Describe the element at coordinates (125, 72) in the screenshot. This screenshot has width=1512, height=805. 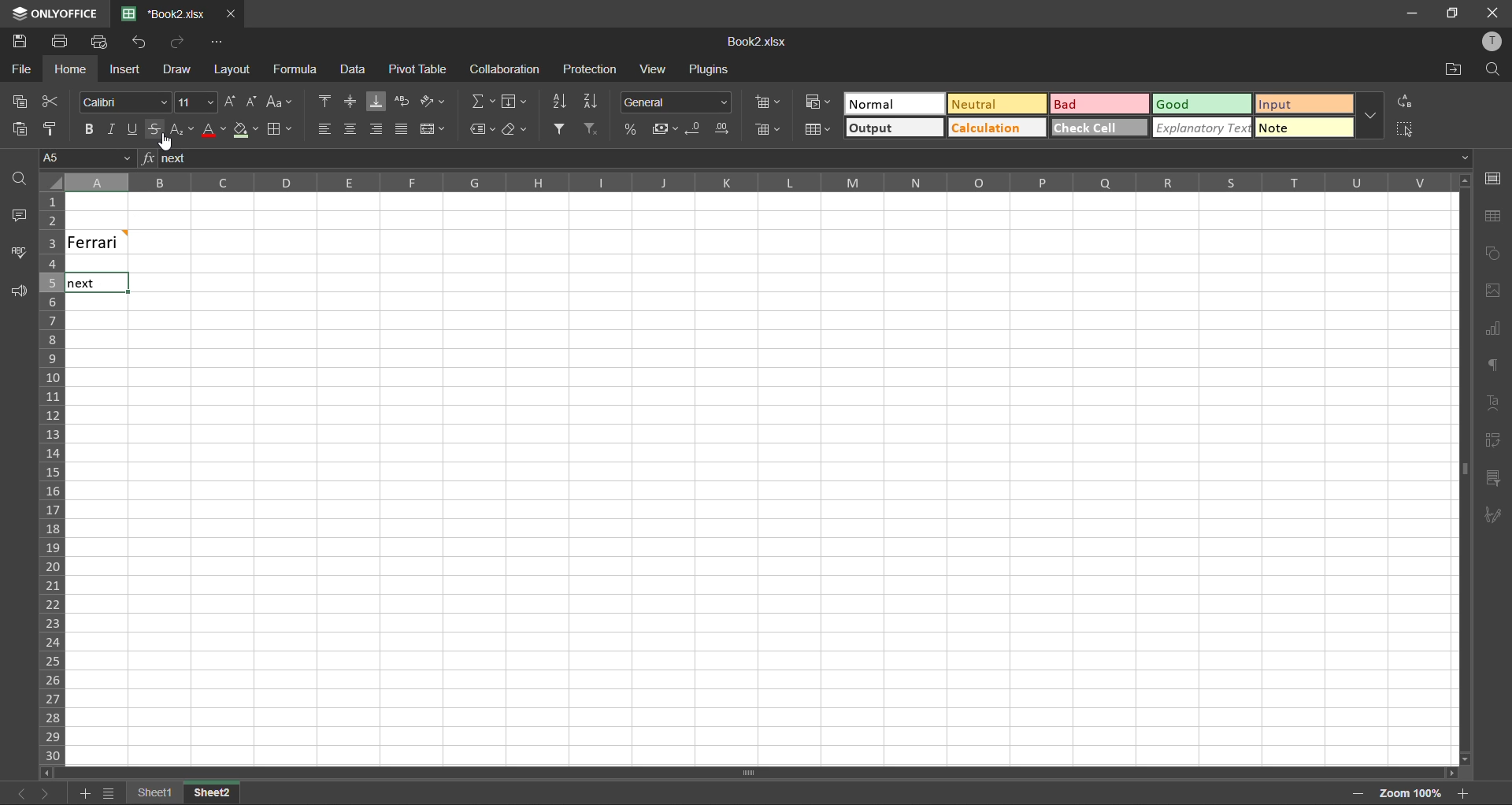
I see `insert` at that location.